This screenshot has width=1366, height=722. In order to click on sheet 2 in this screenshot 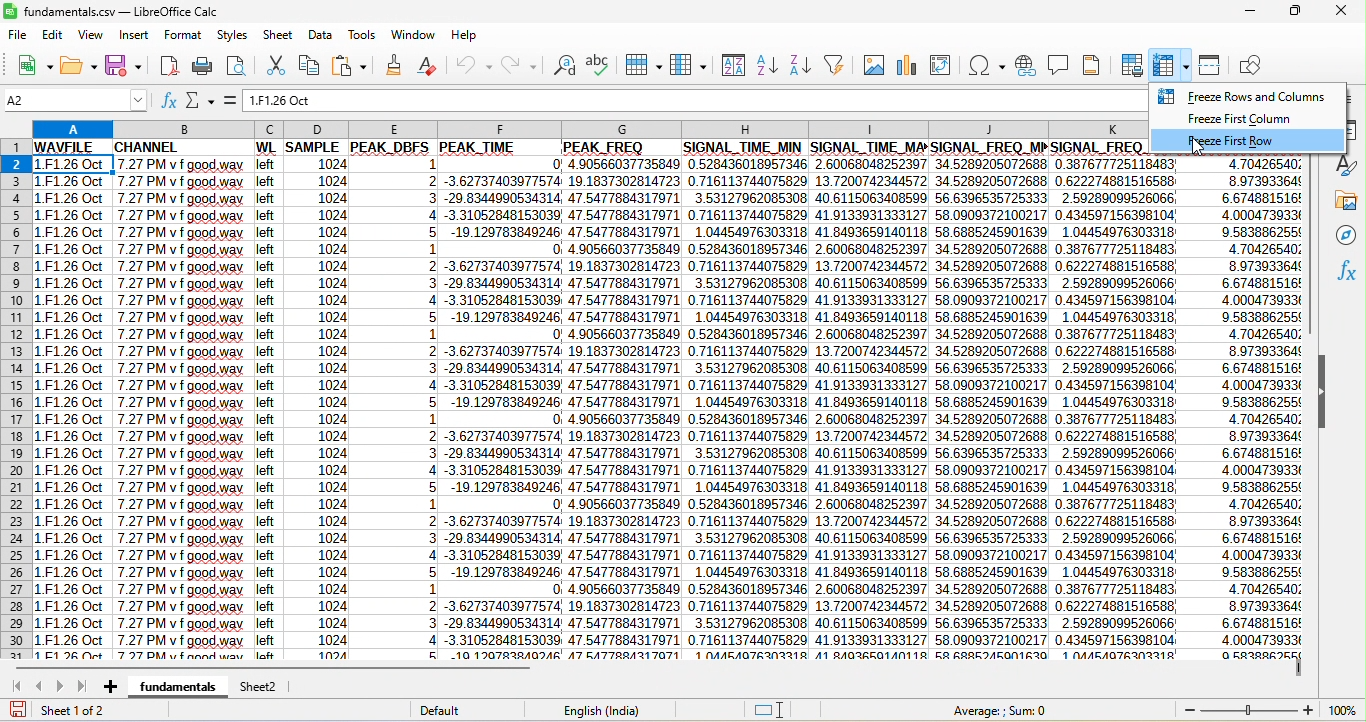, I will do `click(266, 686)`.